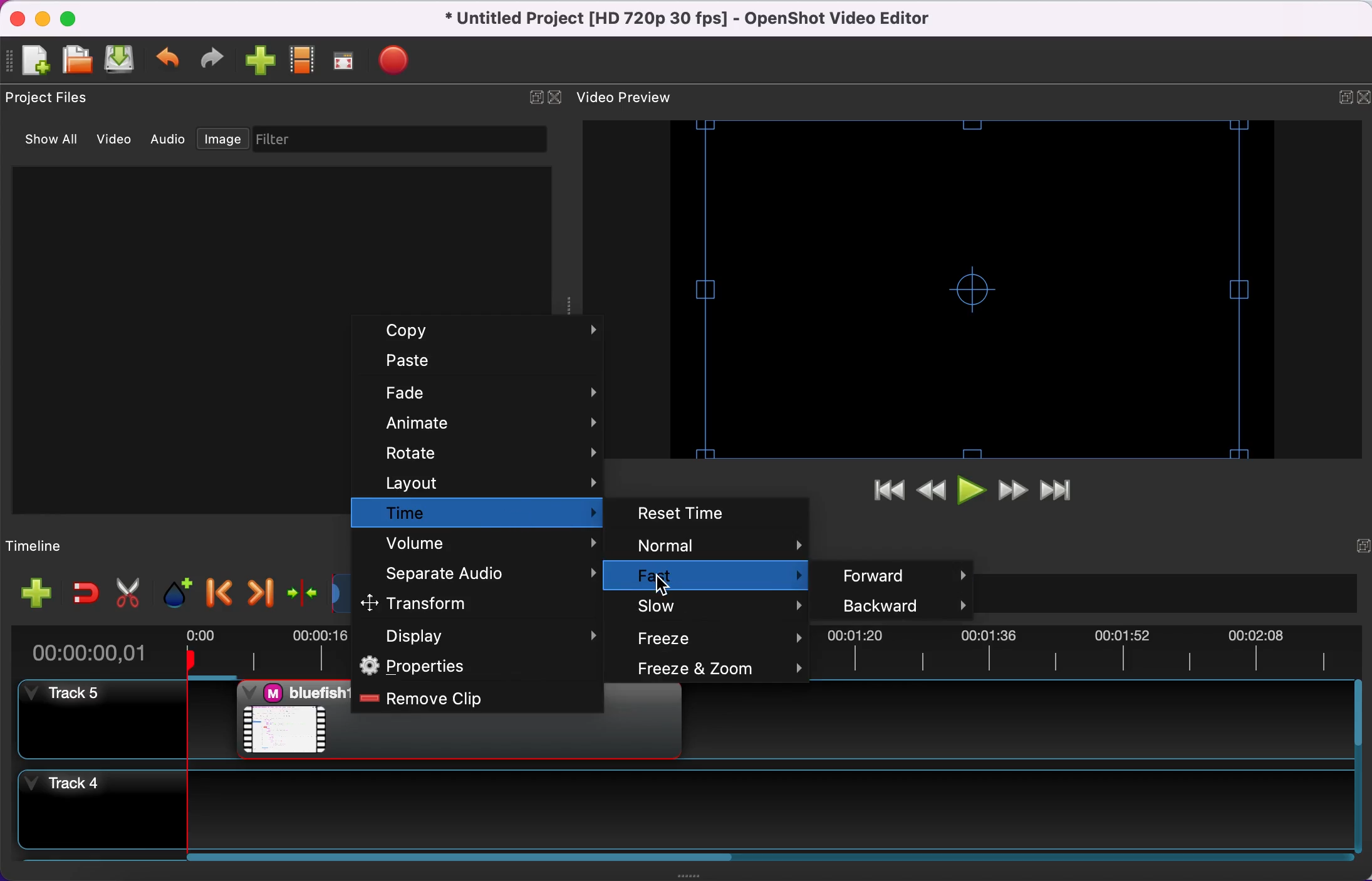 This screenshot has width=1372, height=881. I want to click on time duration, so click(101, 649).